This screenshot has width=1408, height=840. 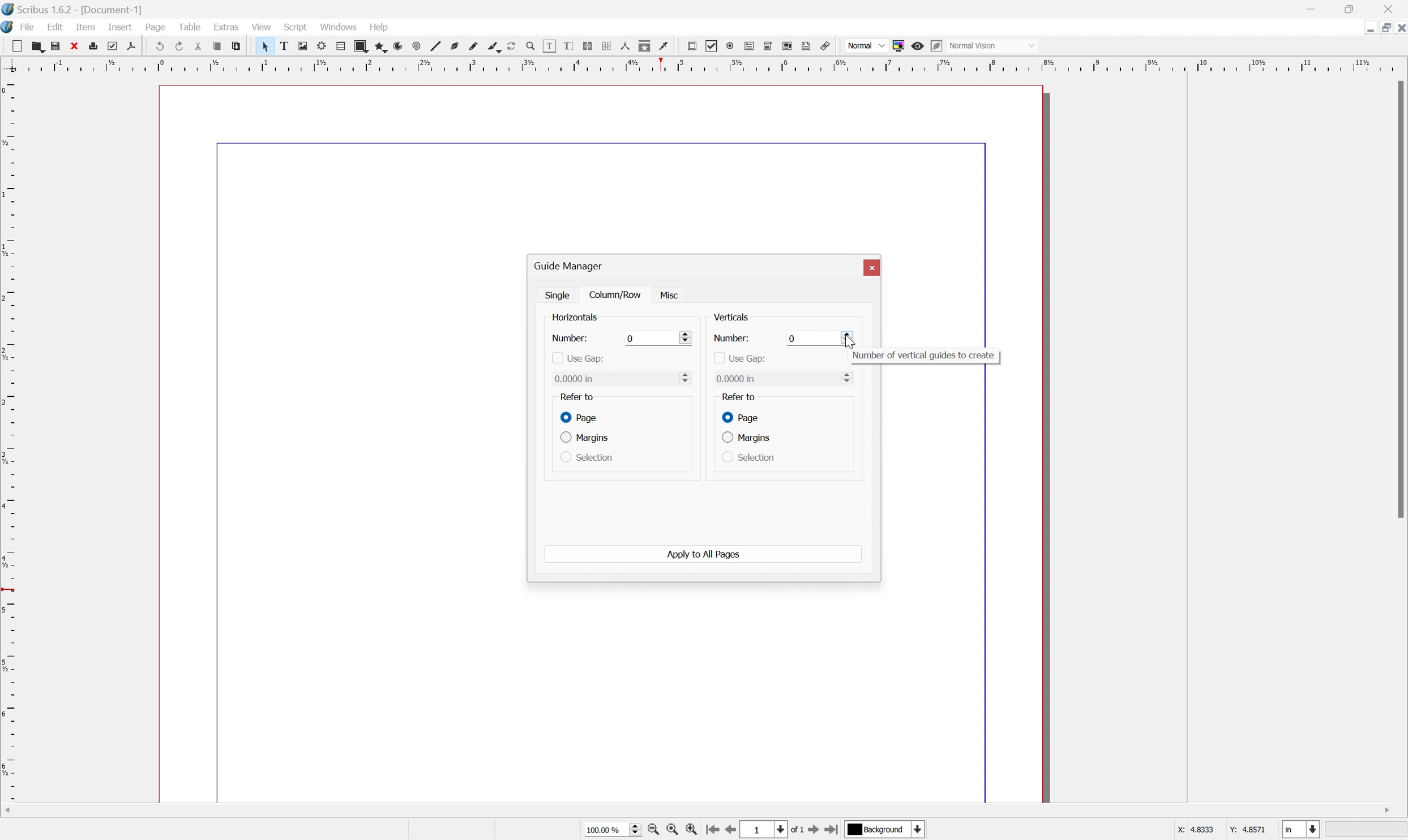 I want to click on column/row, so click(x=617, y=294).